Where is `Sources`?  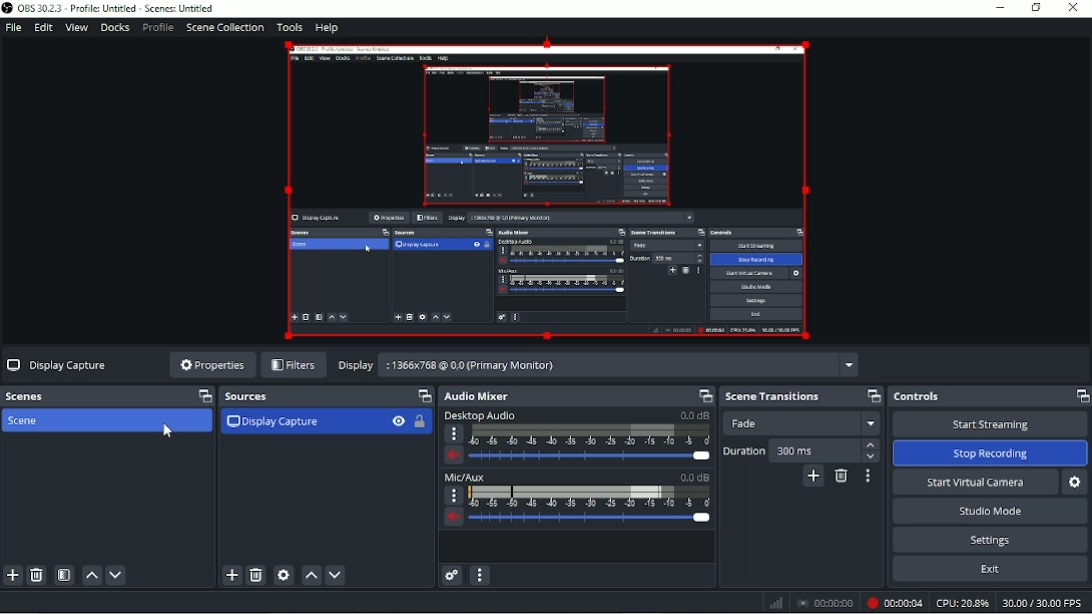 Sources is located at coordinates (247, 398).